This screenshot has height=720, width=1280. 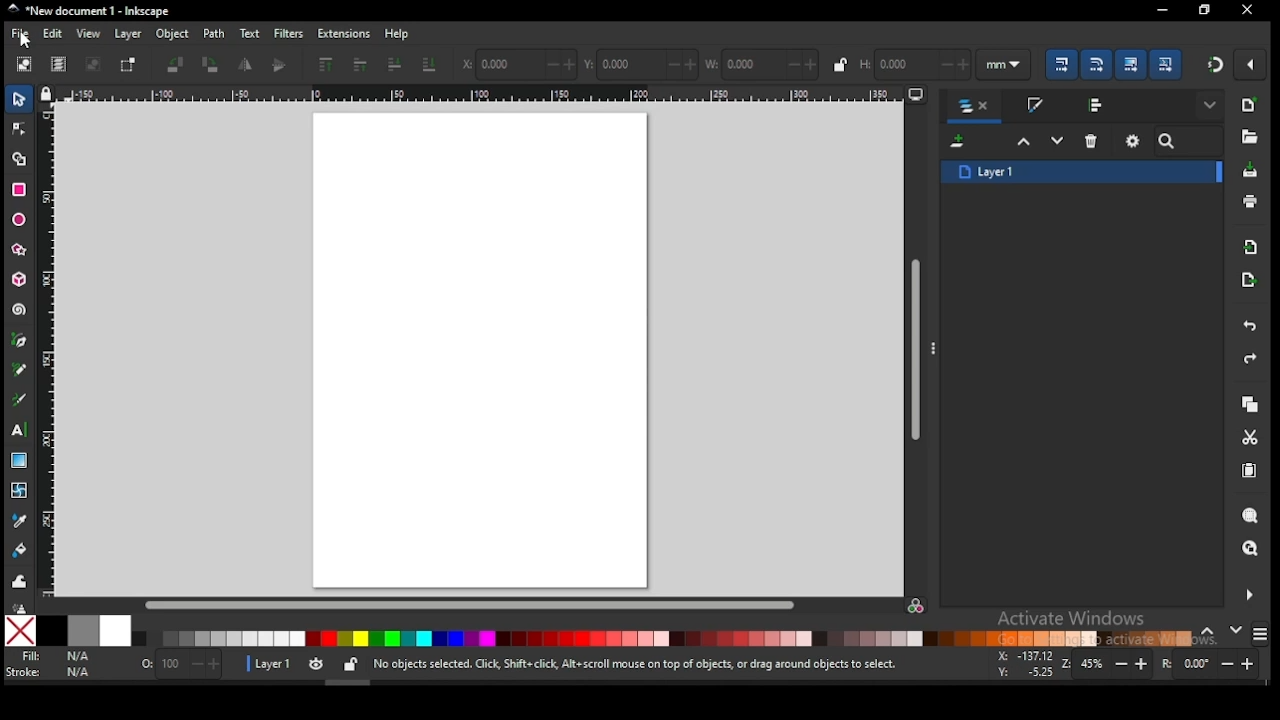 I want to click on snap, so click(x=1216, y=64).